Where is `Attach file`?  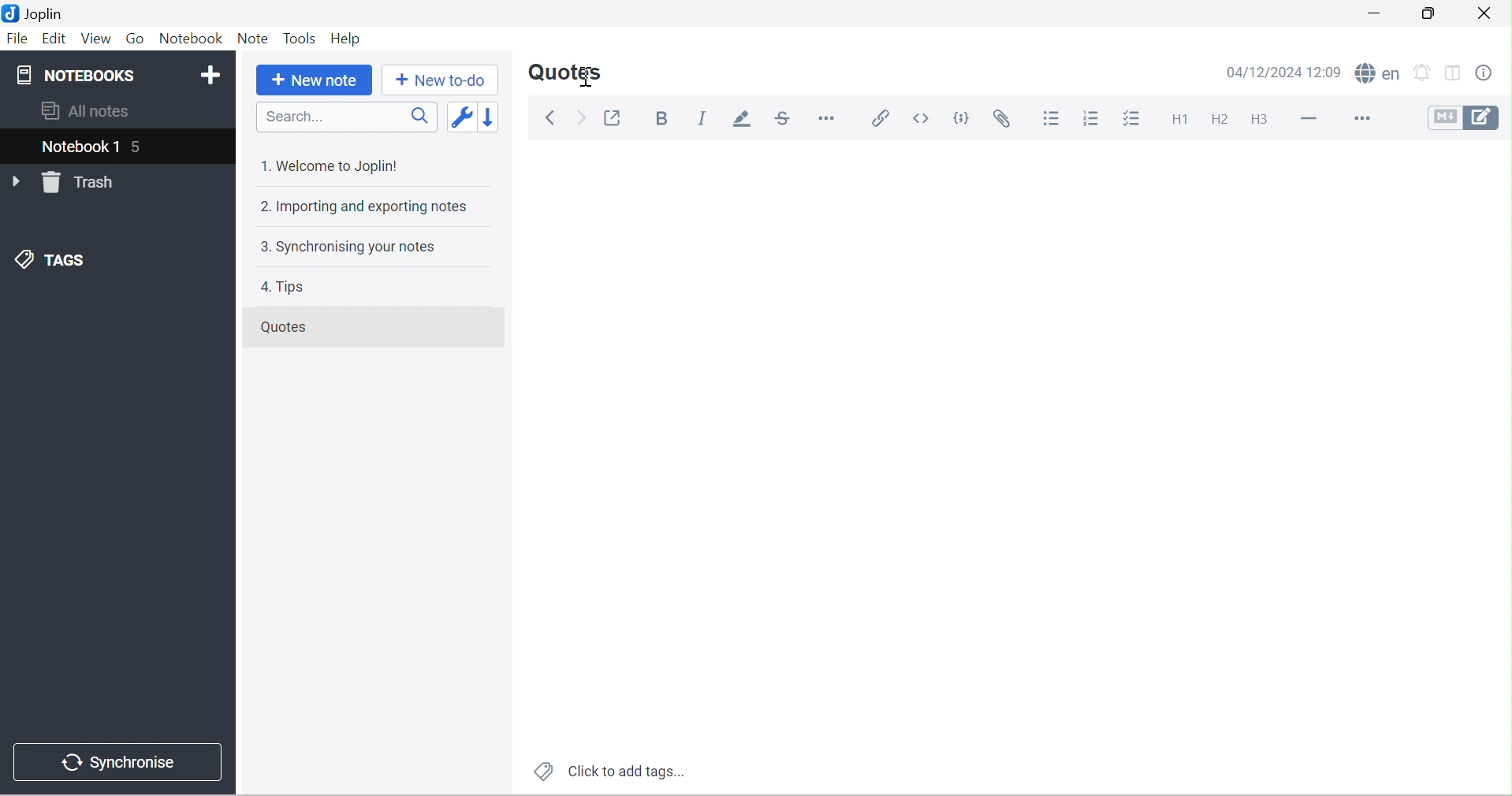 Attach file is located at coordinates (1011, 119).